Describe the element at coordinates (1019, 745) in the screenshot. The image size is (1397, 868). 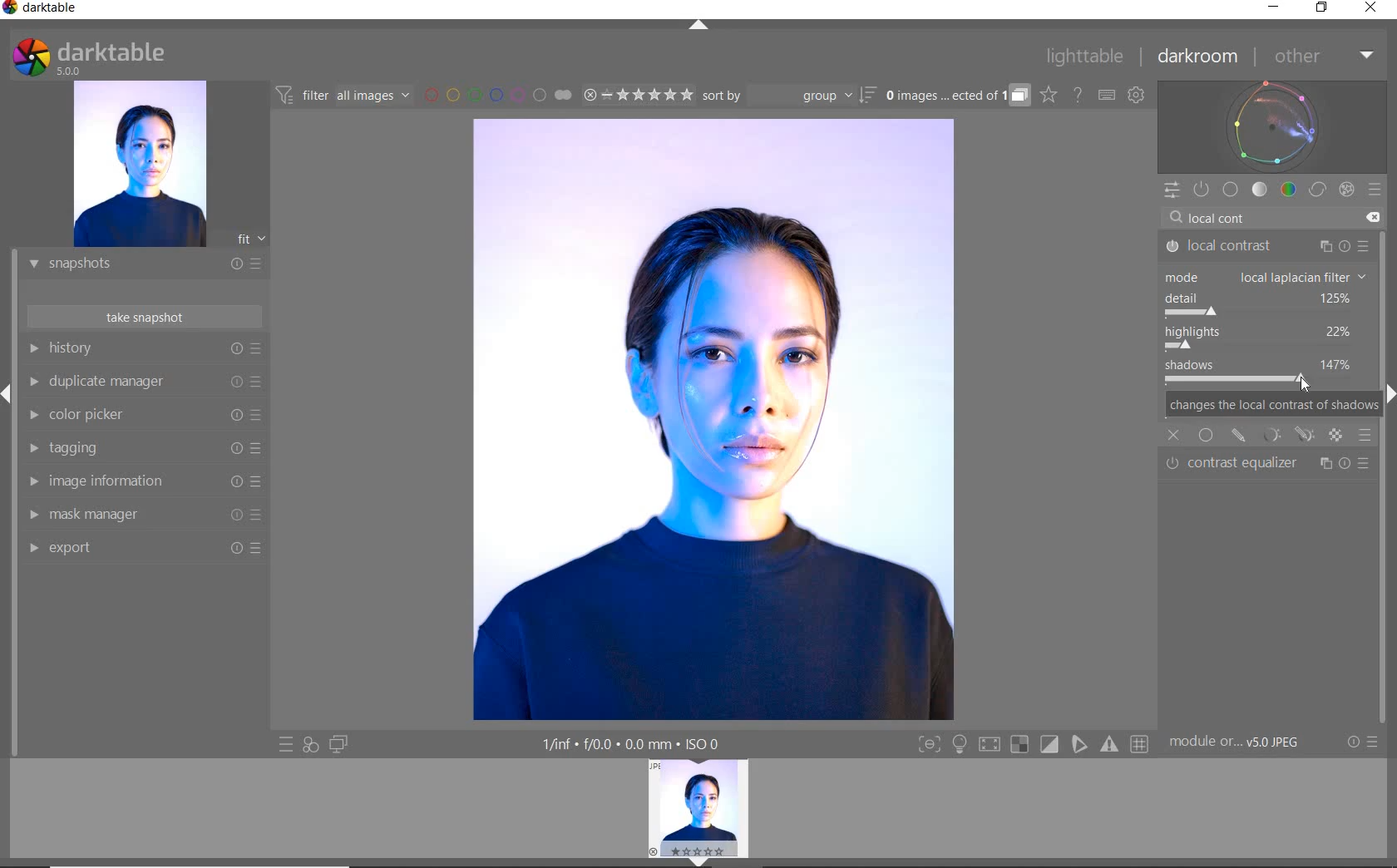
I see `Button` at that location.